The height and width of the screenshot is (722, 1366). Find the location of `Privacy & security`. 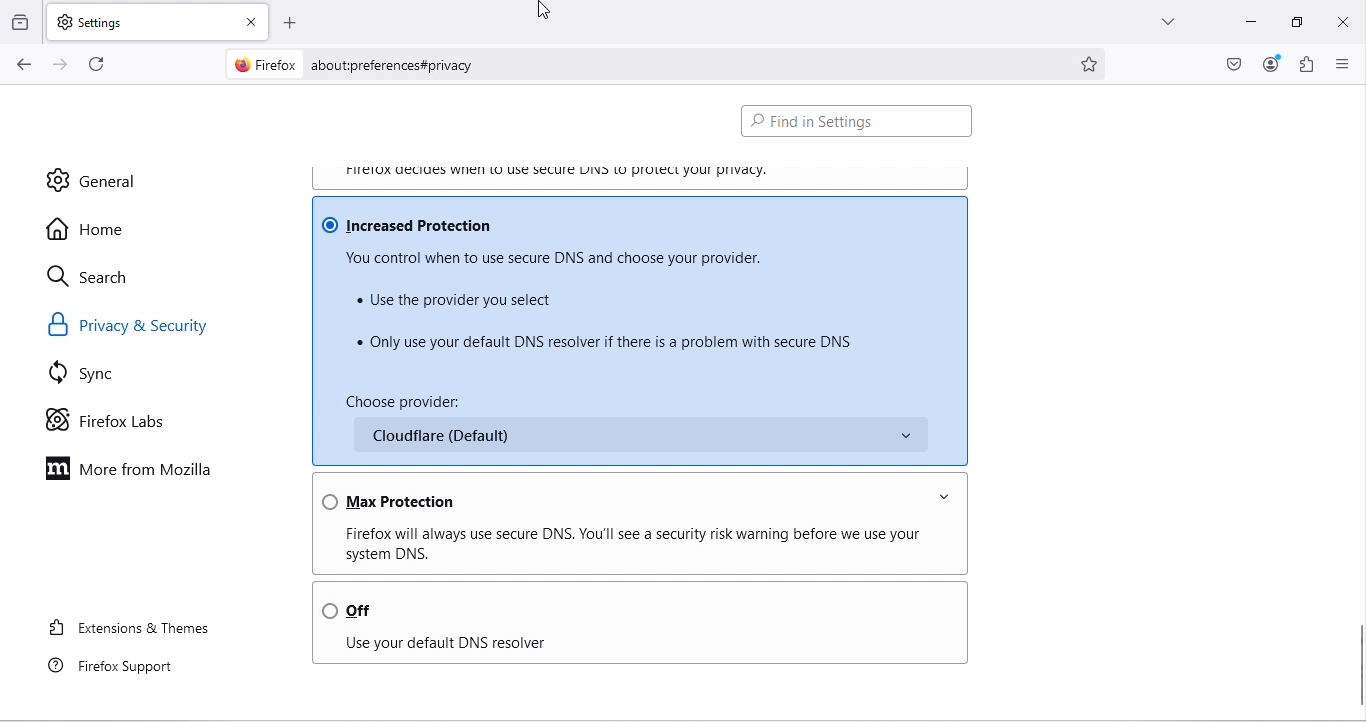

Privacy & security is located at coordinates (136, 323).